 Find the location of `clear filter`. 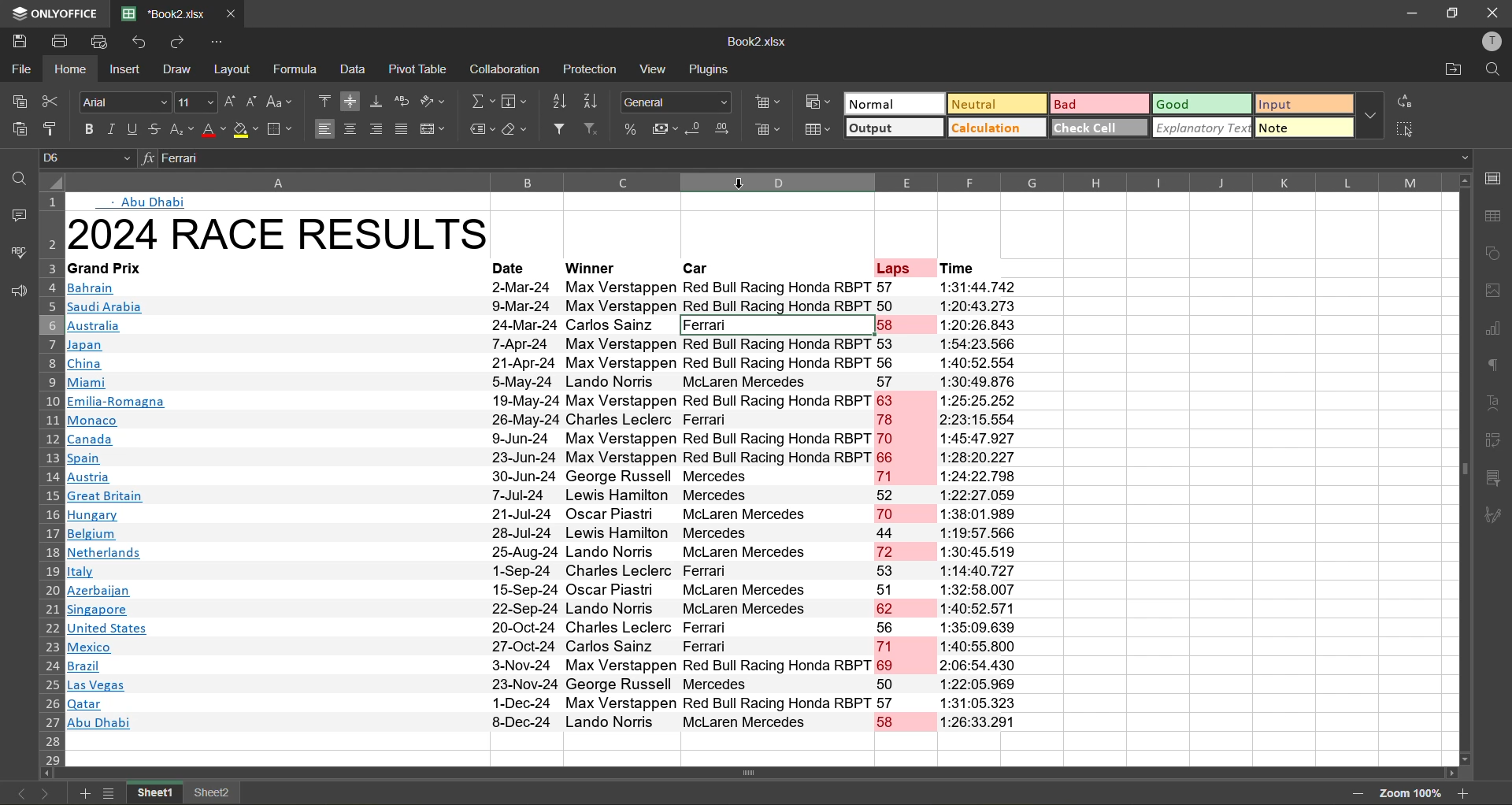

clear filter is located at coordinates (592, 129).